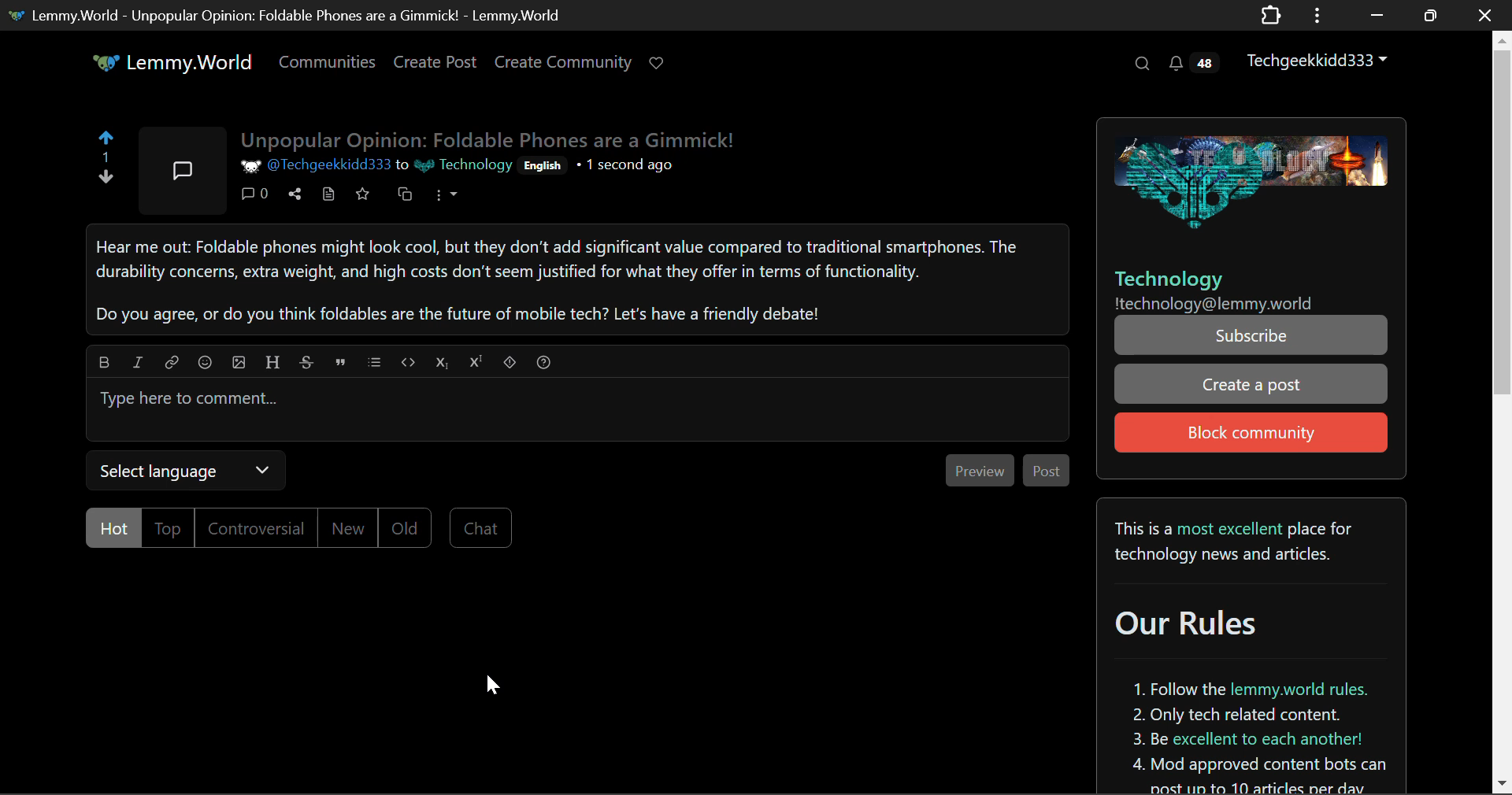 The width and height of the screenshot is (1512, 795). Describe the element at coordinates (405, 527) in the screenshot. I see `Old Comment Filter Unselected` at that location.